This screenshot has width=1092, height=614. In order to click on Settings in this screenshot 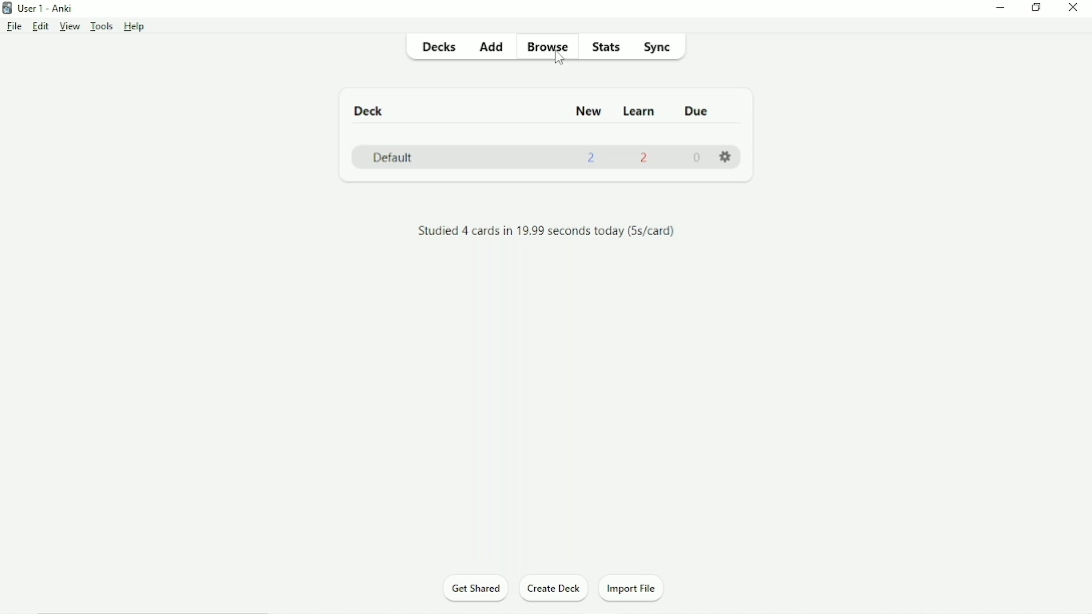, I will do `click(728, 157)`.